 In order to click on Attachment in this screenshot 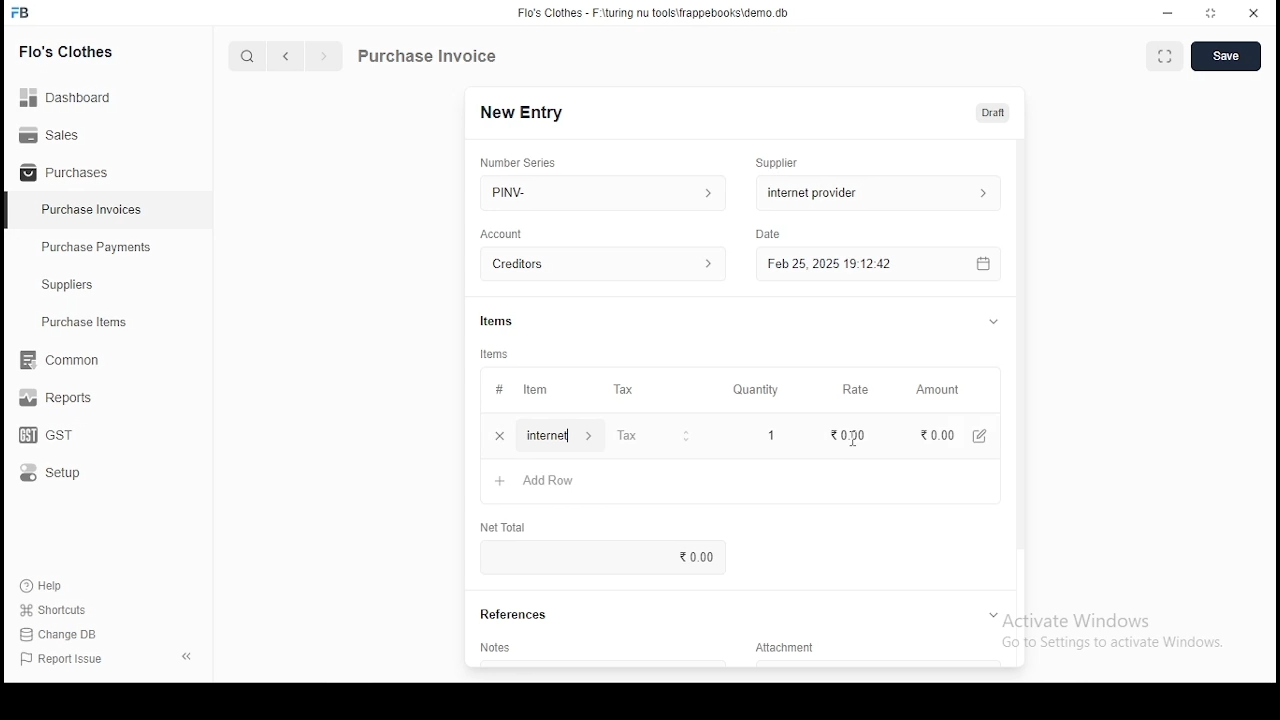, I will do `click(788, 651)`.